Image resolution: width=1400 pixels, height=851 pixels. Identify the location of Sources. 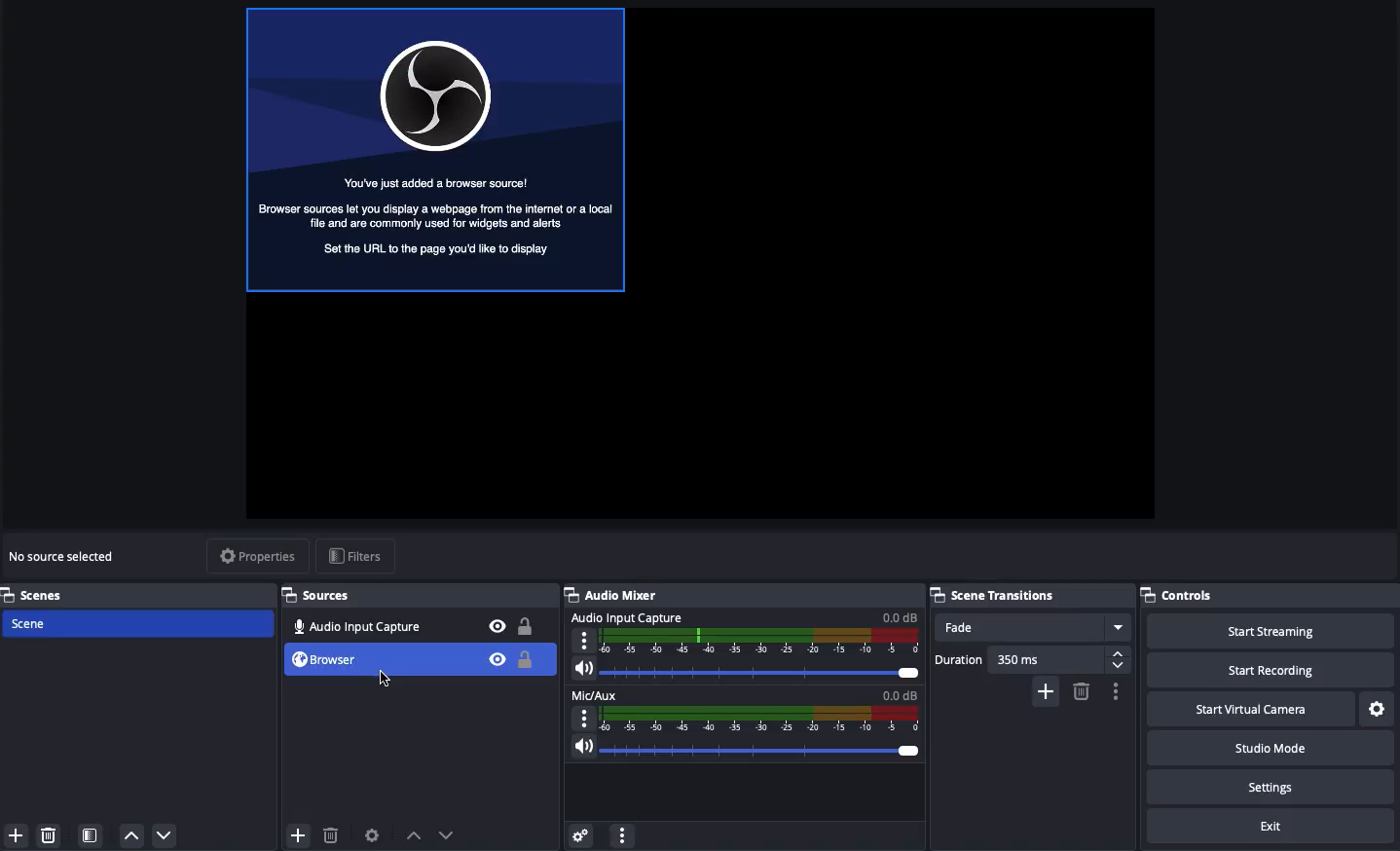
(322, 596).